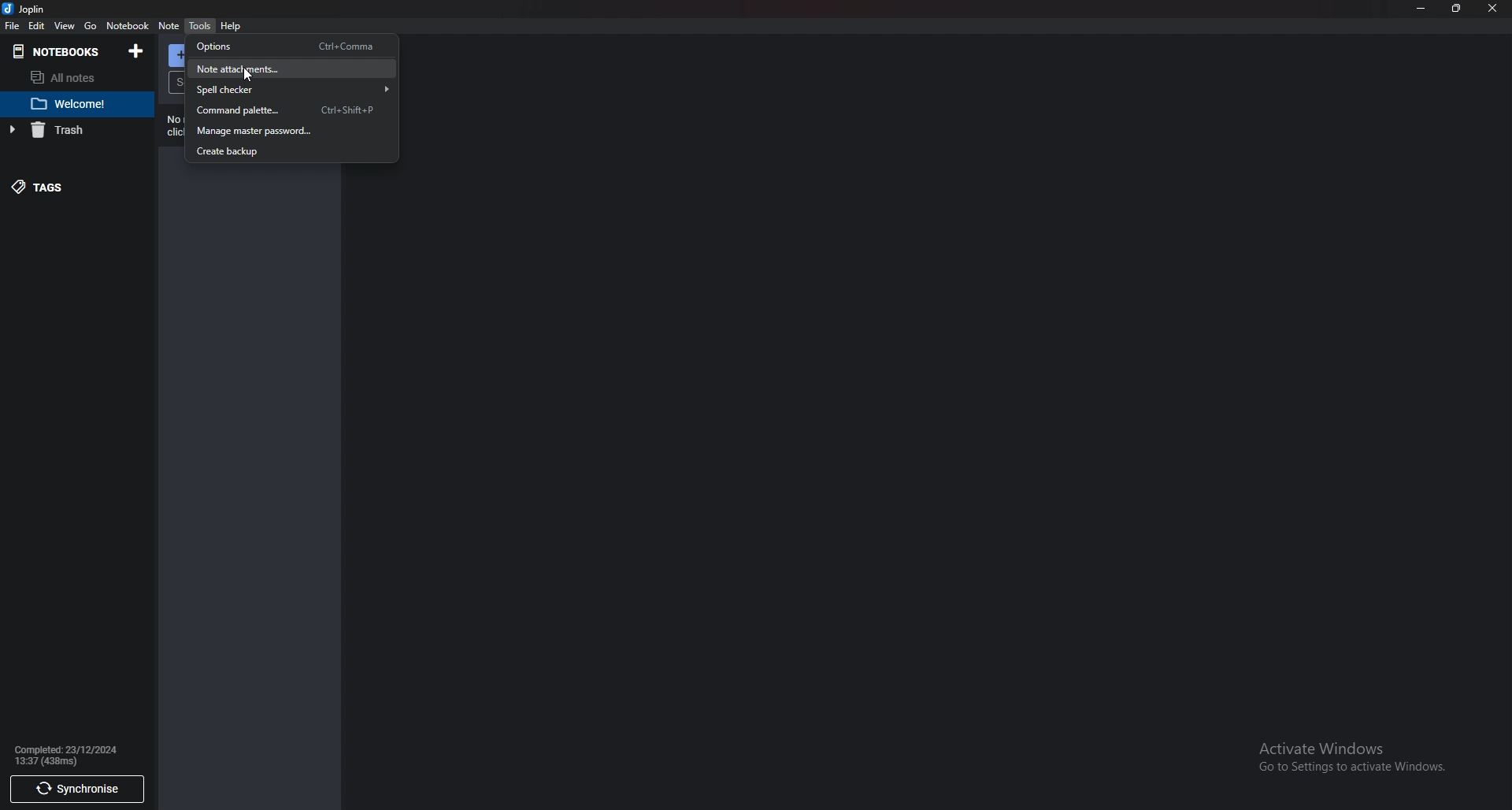 This screenshot has width=1512, height=810. Describe the element at coordinates (169, 26) in the screenshot. I see `Note` at that location.